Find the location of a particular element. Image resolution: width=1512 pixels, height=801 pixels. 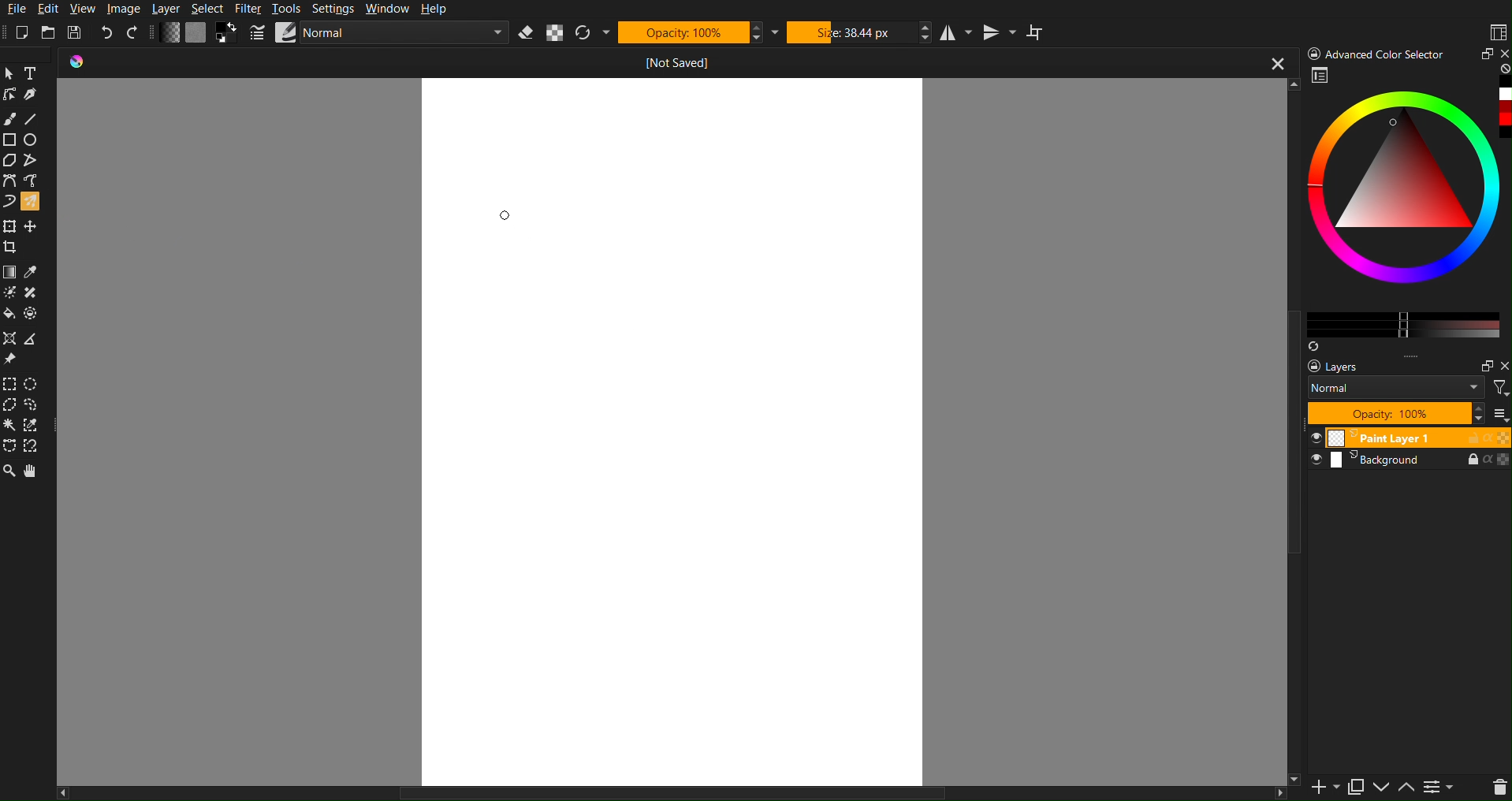

contrast is located at coordinates (1441, 790).